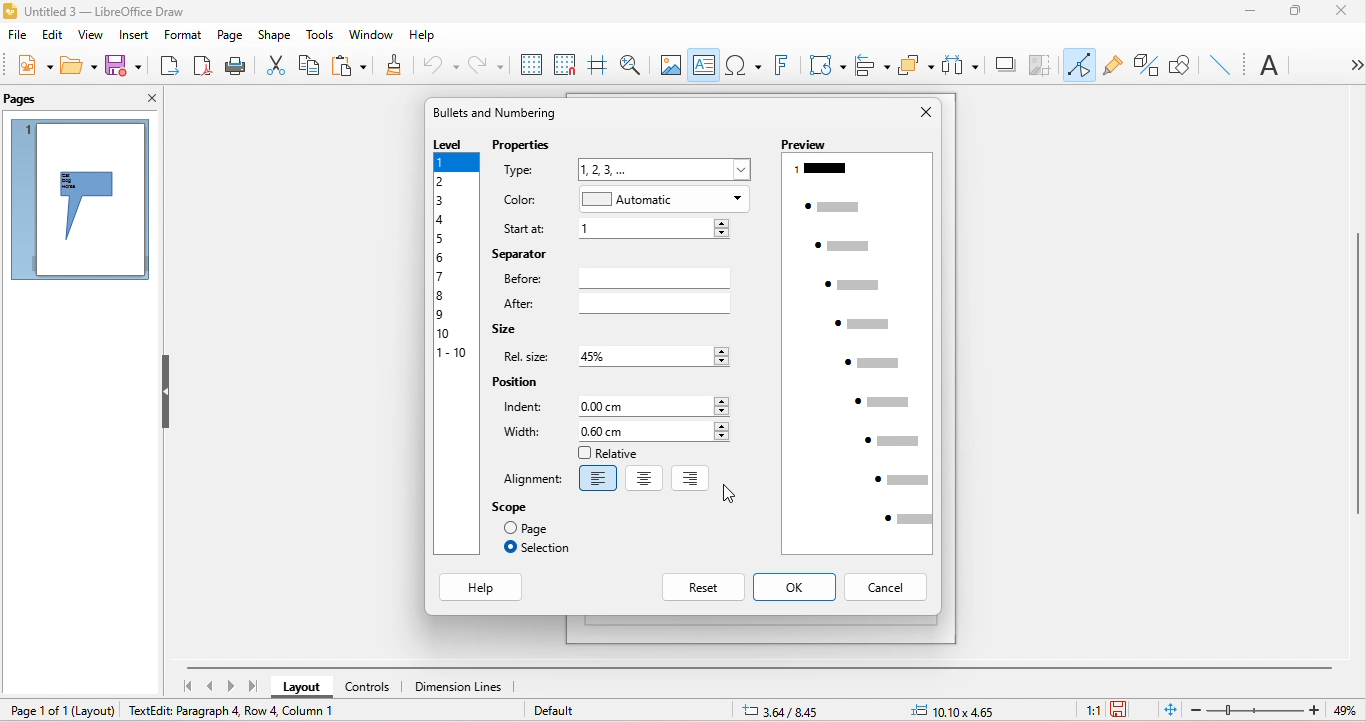 This screenshot has width=1366, height=722. Describe the element at coordinates (28, 65) in the screenshot. I see `new` at that location.